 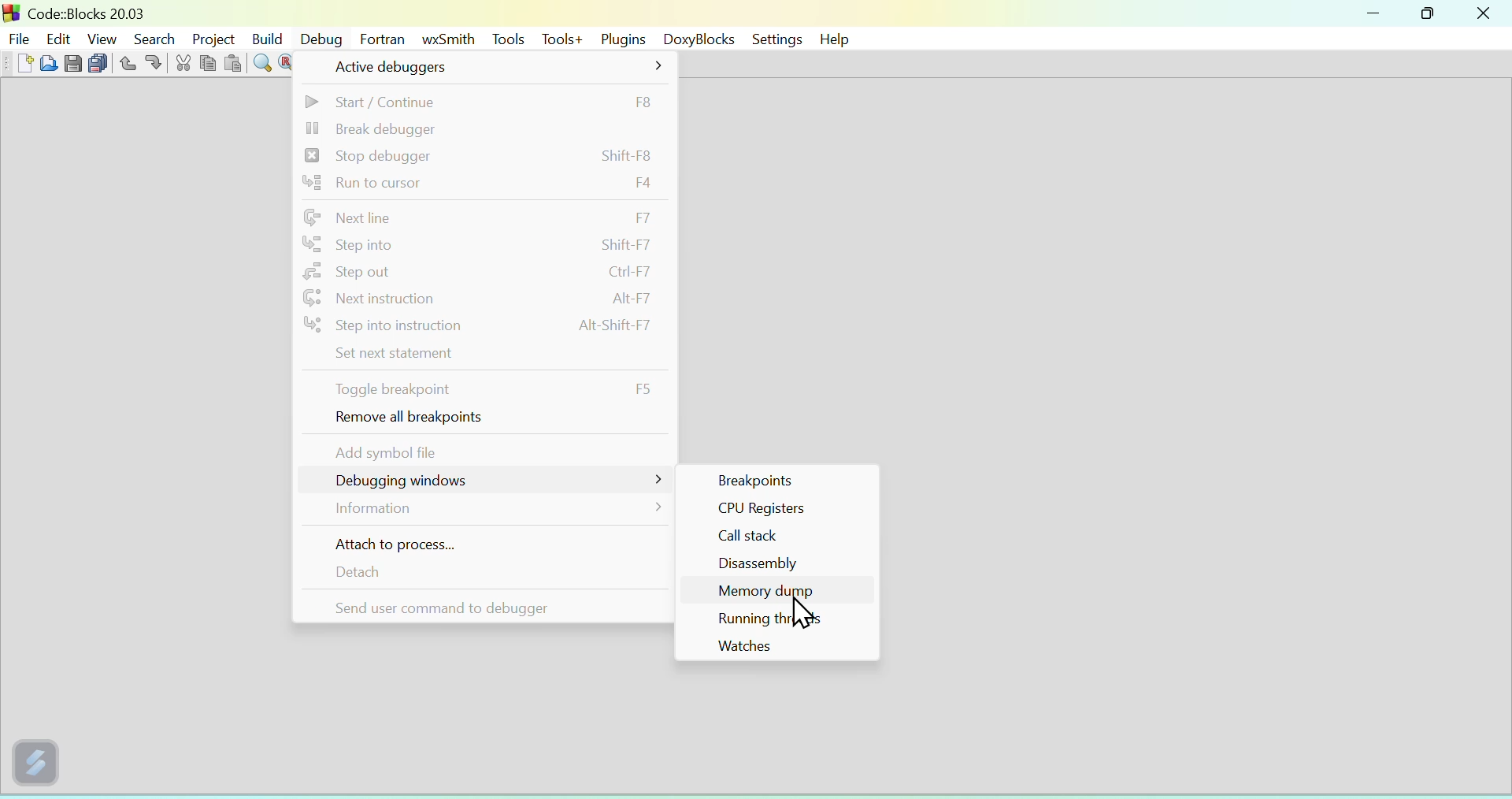 I want to click on attach to process..., so click(x=480, y=543).